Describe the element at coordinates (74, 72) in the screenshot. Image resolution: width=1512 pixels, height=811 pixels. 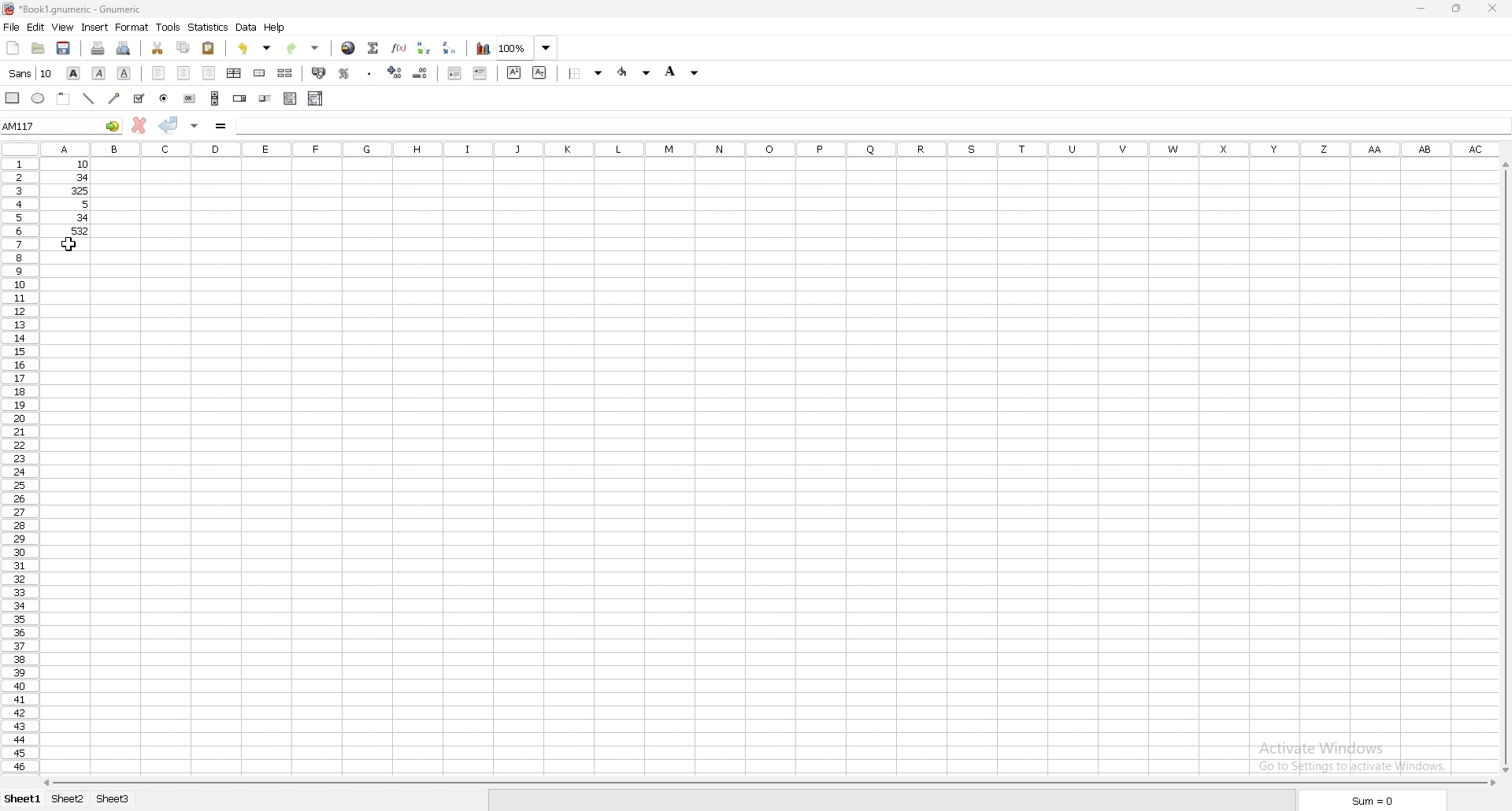
I see `bold` at that location.